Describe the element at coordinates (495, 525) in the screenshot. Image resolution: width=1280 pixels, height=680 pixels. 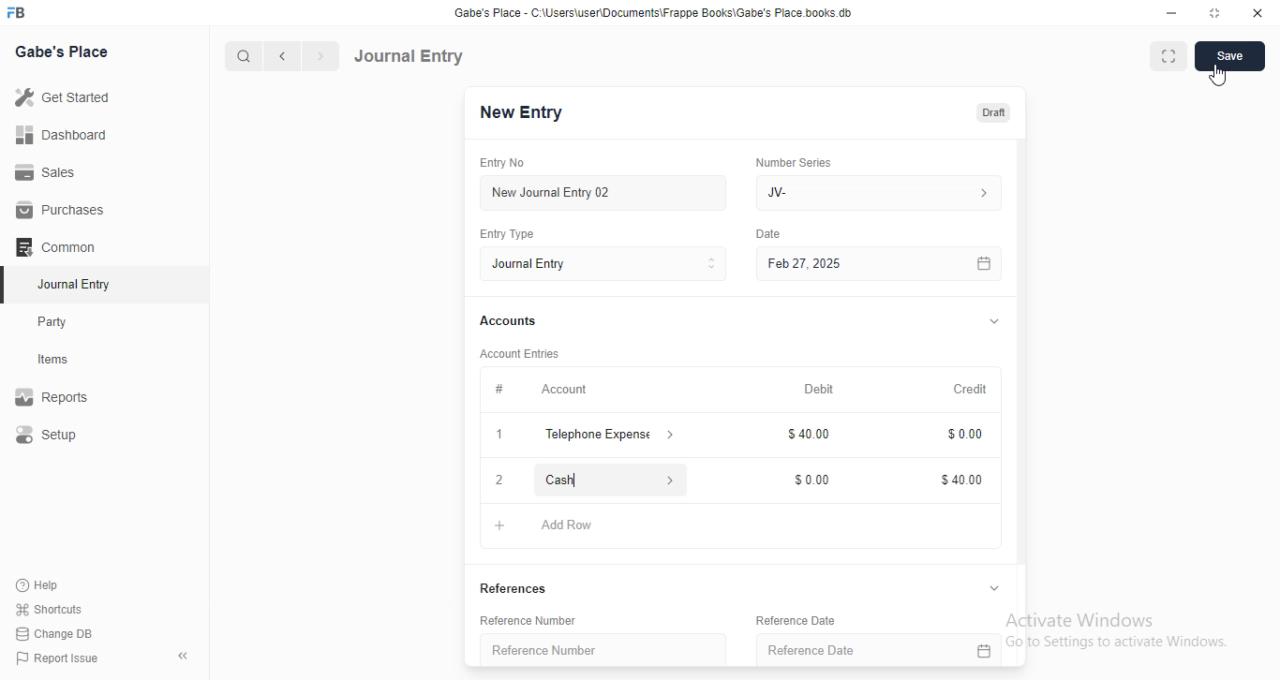
I see `Add` at that location.